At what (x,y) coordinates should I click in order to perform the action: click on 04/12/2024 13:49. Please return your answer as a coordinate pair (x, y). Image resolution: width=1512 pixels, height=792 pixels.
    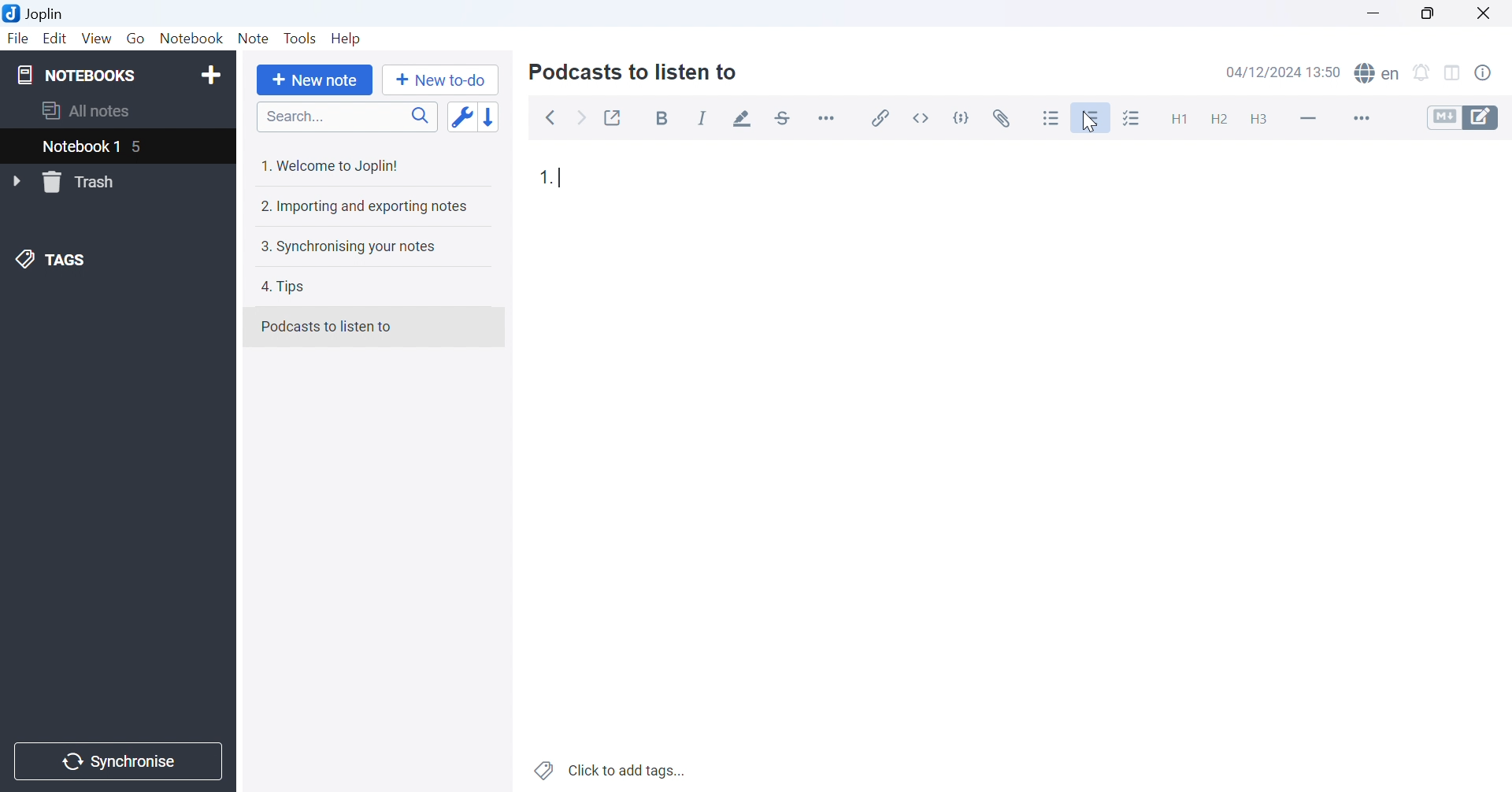
    Looking at the image, I should click on (1284, 72).